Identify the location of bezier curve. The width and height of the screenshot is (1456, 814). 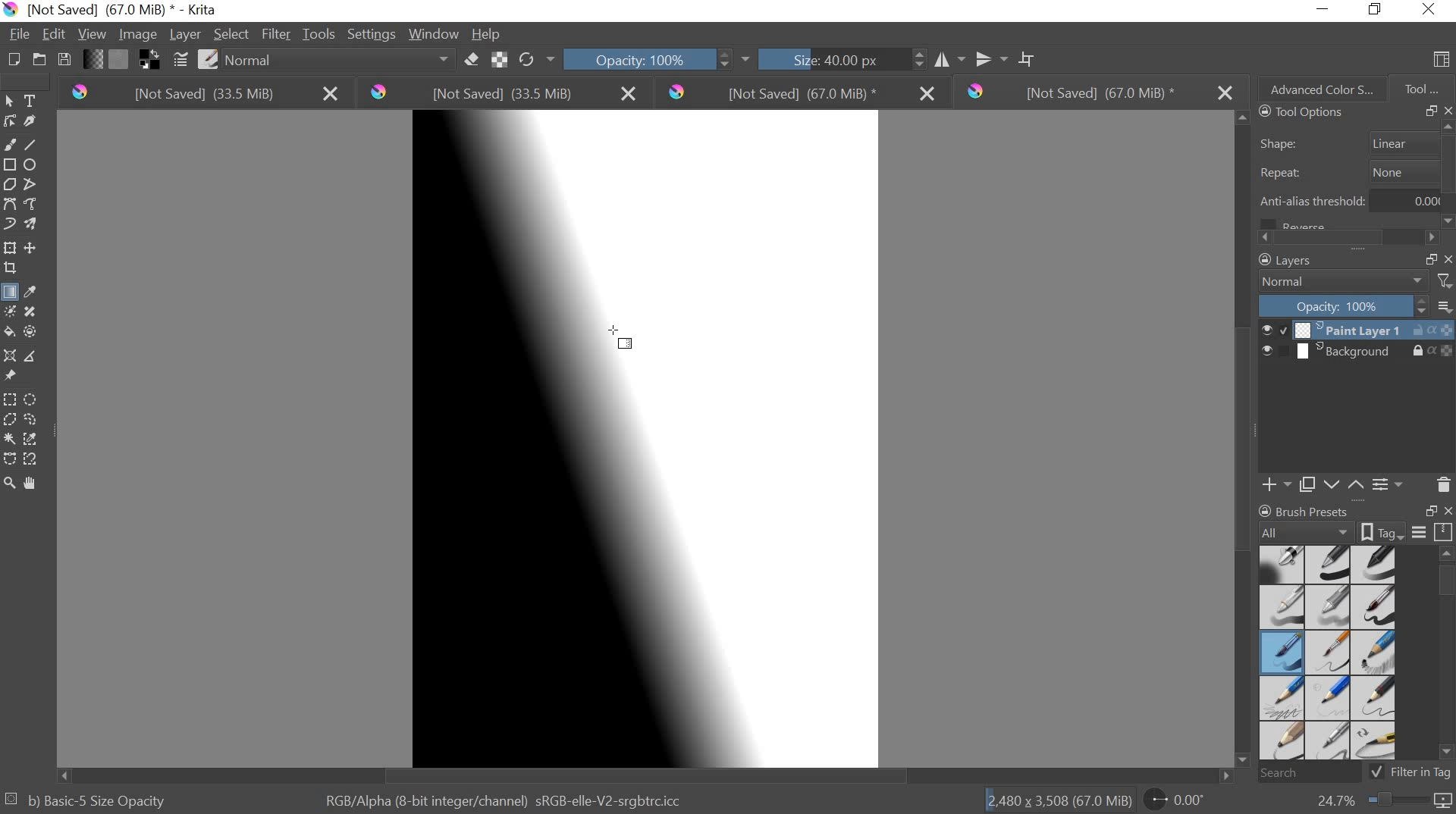
(10, 458).